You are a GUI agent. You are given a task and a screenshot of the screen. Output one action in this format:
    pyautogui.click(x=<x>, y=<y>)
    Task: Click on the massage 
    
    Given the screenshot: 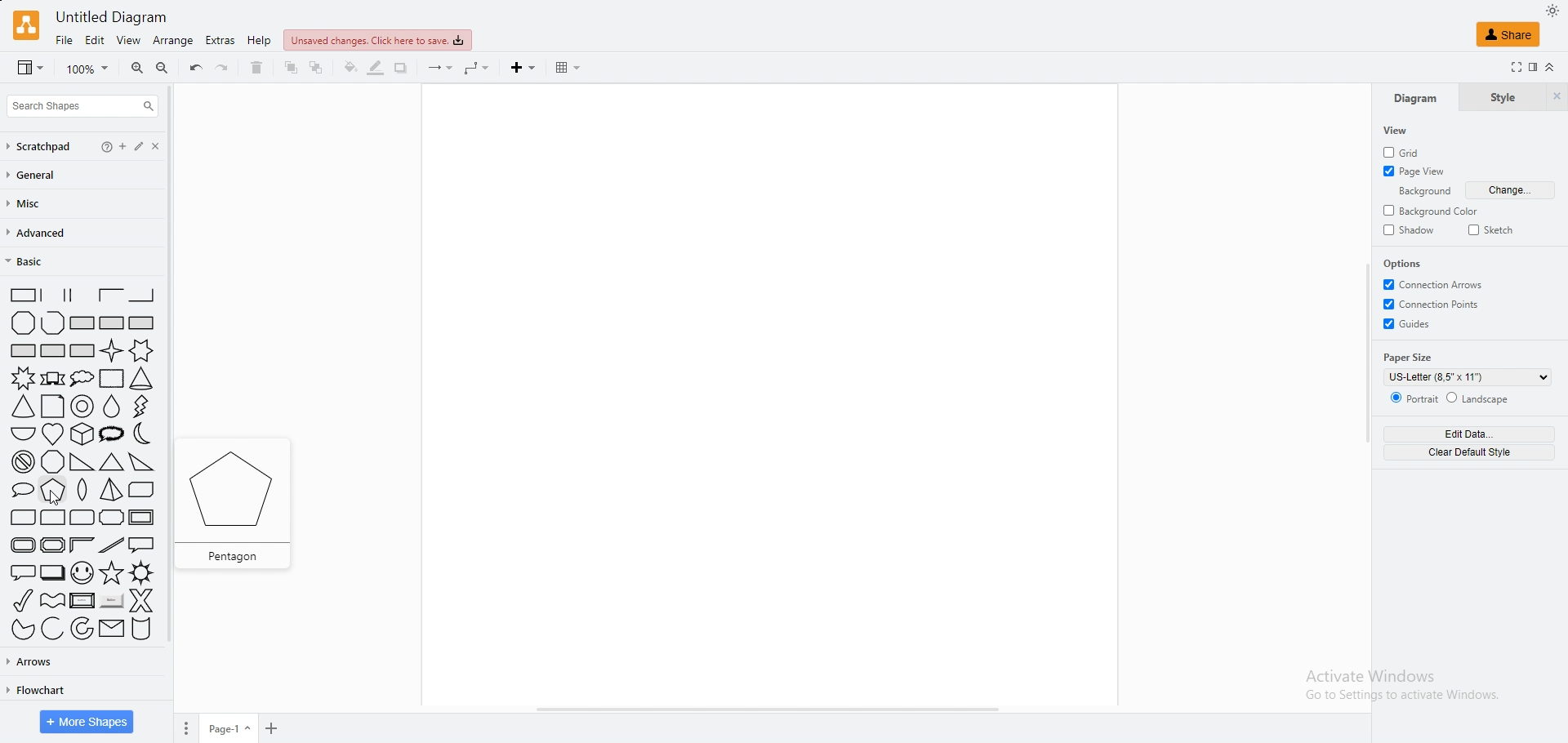 What is the action you would take?
    pyautogui.click(x=111, y=629)
    